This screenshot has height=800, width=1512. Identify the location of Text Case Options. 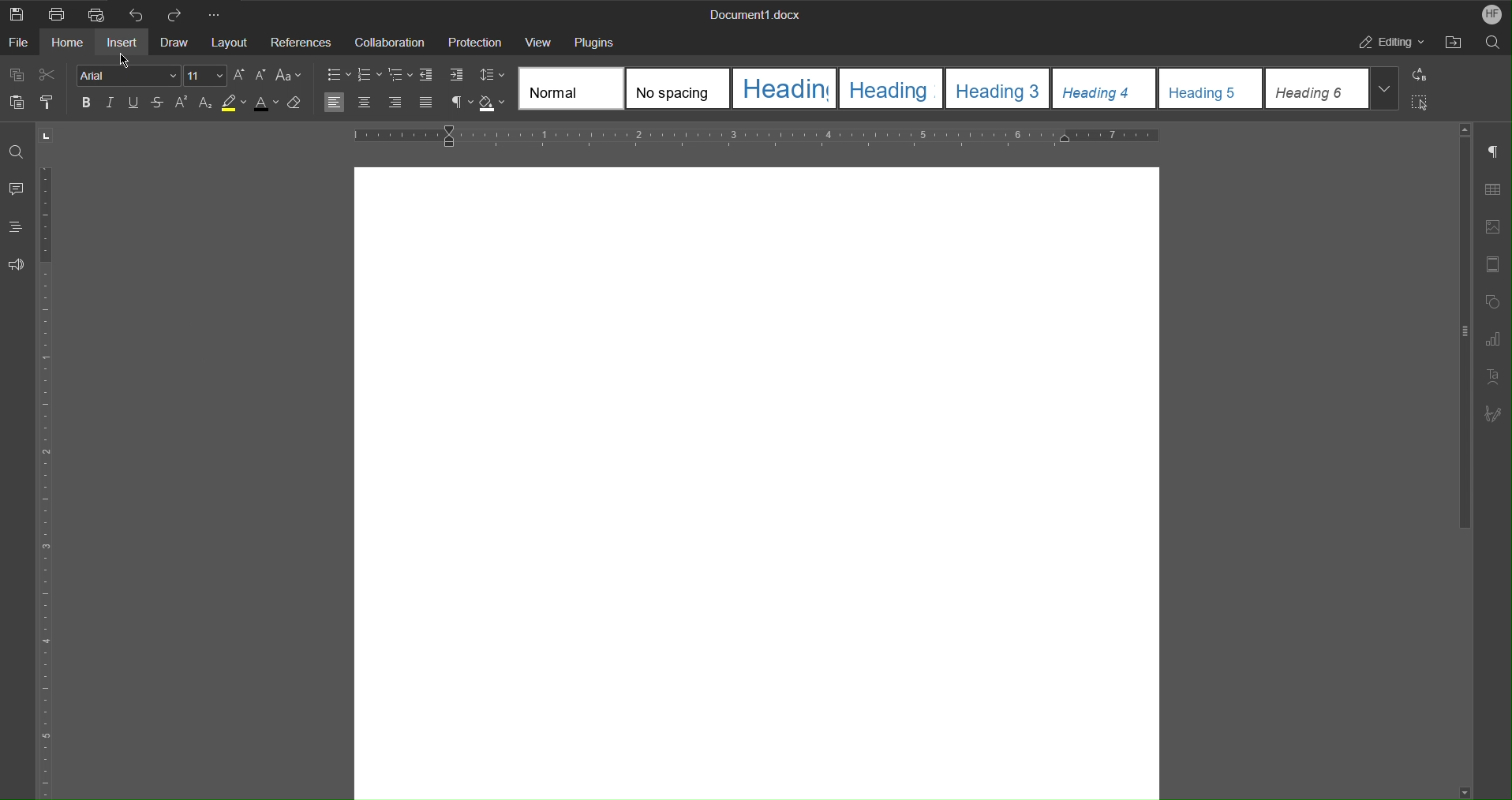
(287, 77).